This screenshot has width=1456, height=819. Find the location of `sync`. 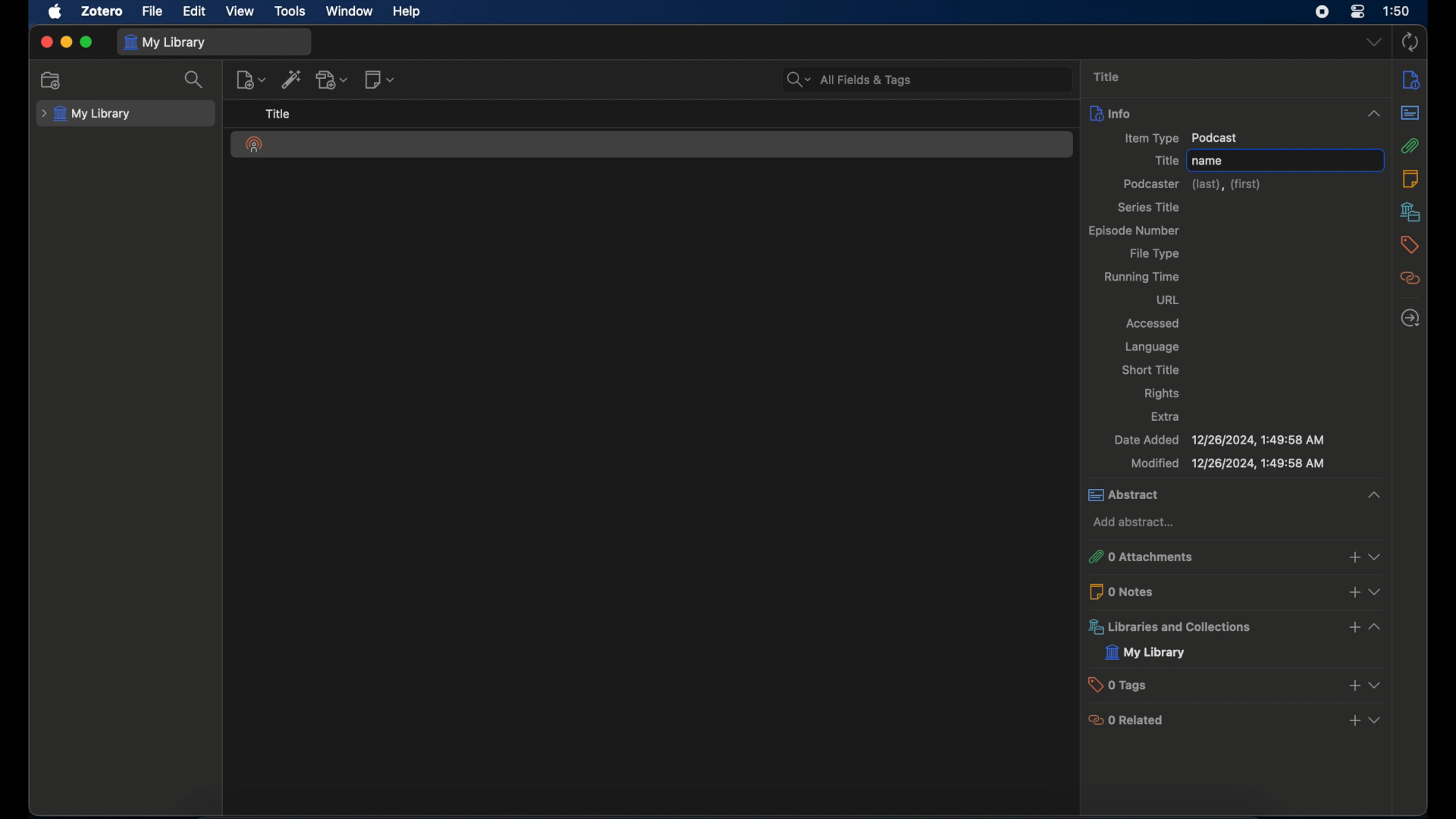

sync is located at coordinates (1410, 42).